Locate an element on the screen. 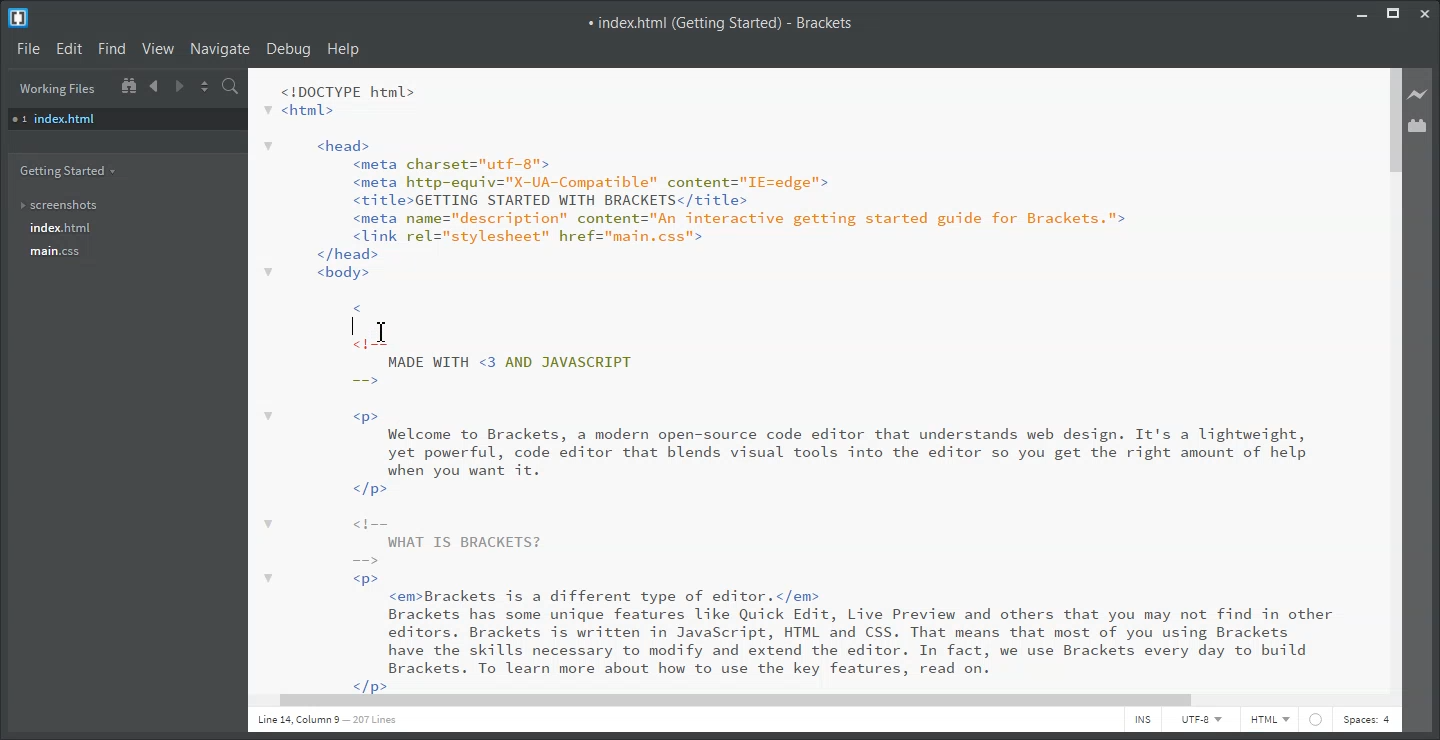 The image size is (1440, 740). Split the editor Vertically or Horizontally is located at coordinates (205, 87).